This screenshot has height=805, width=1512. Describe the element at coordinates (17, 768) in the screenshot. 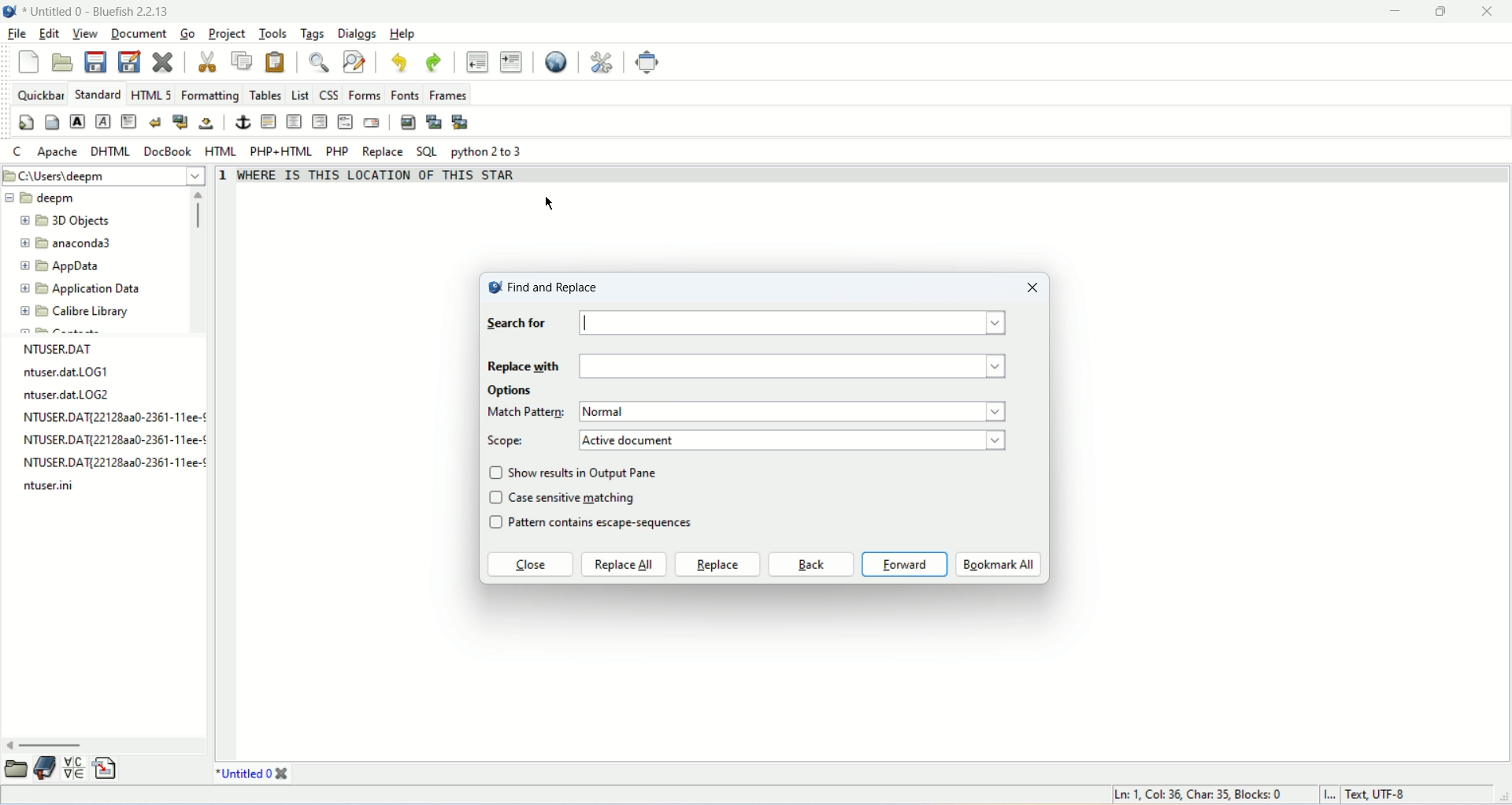

I see `file browser` at that location.